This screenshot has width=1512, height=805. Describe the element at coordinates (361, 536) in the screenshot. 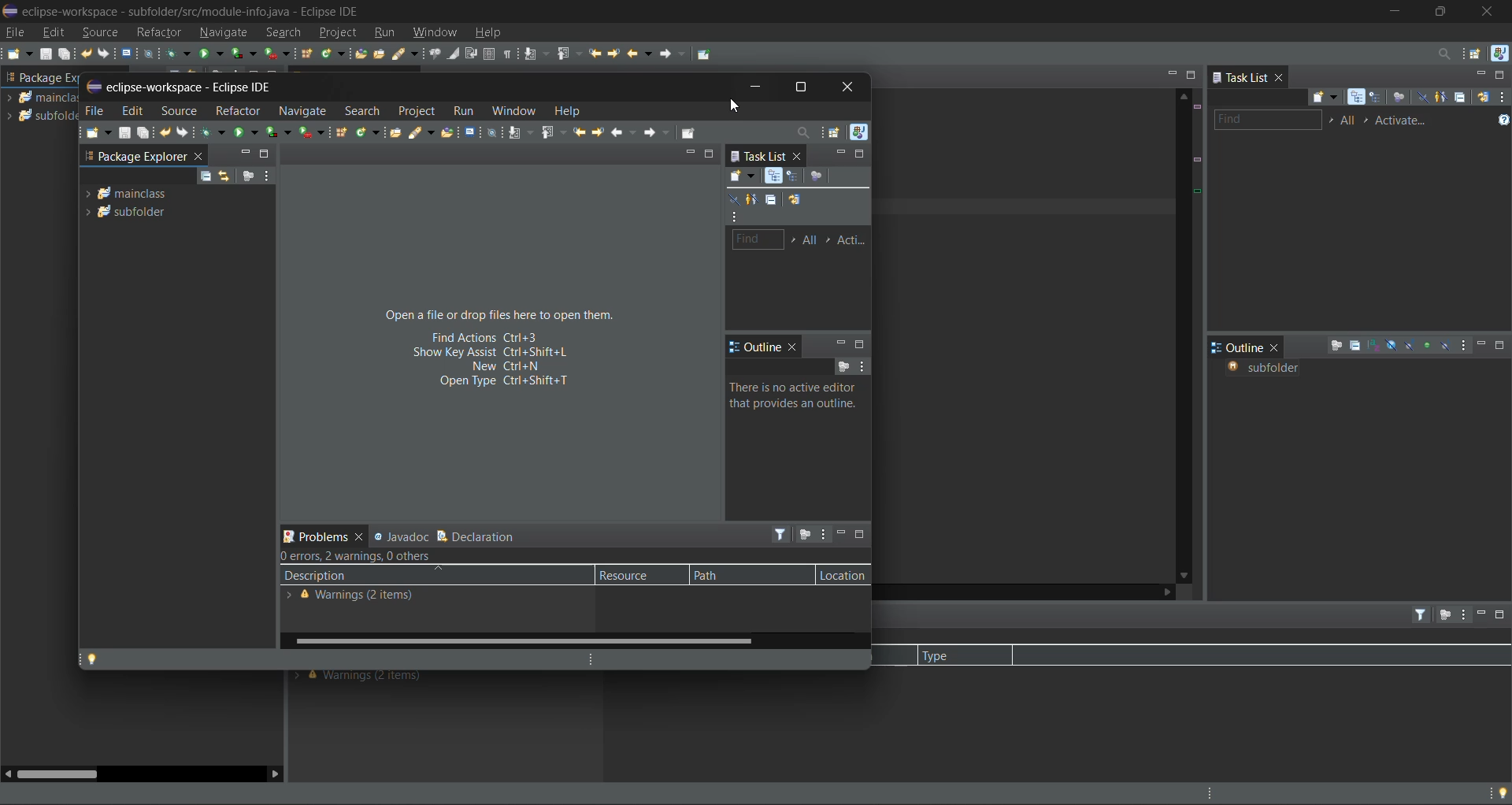

I see `close` at that location.